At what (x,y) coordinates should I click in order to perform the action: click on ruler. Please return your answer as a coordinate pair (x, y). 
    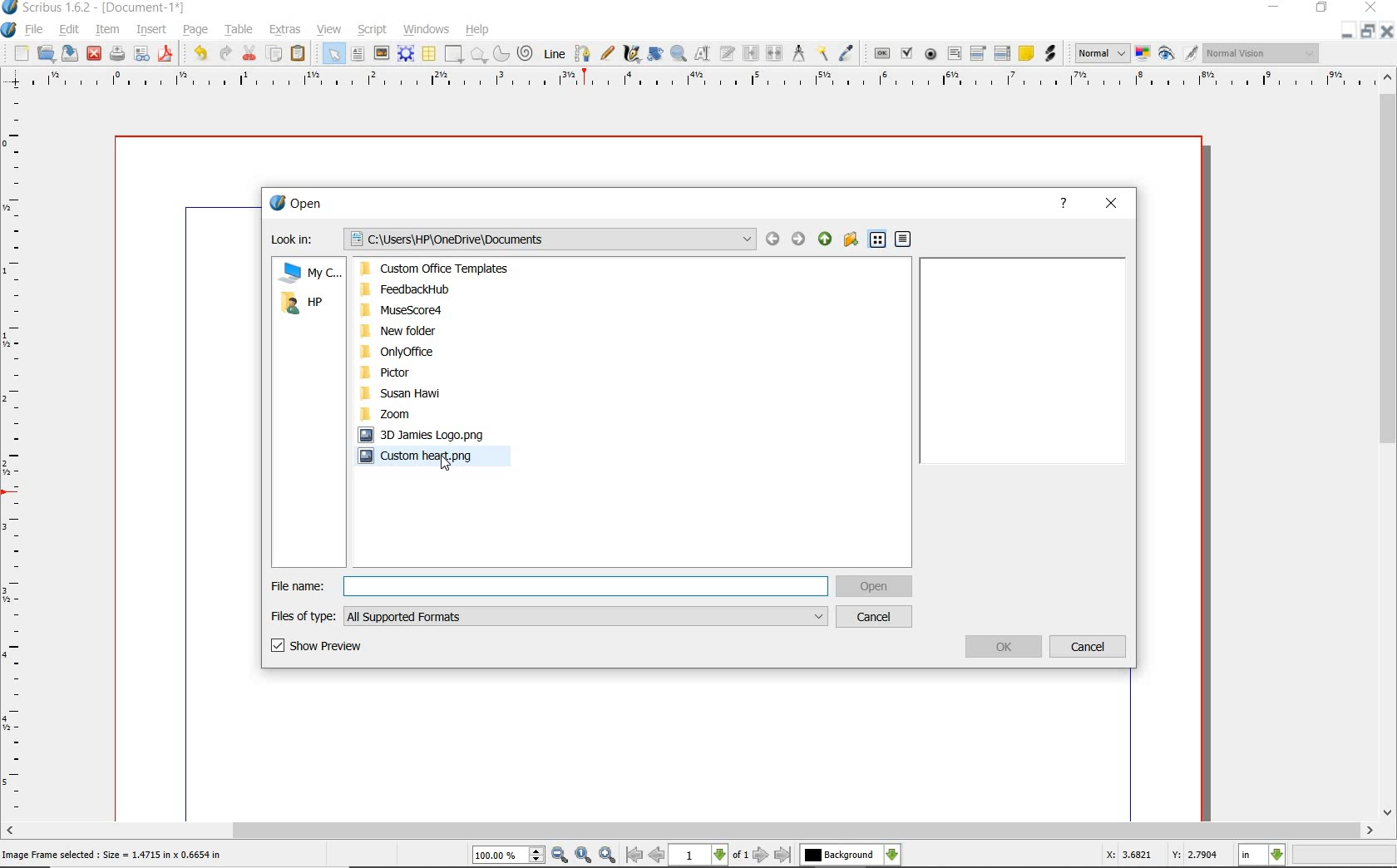
    Looking at the image, I should click on (16, 455).